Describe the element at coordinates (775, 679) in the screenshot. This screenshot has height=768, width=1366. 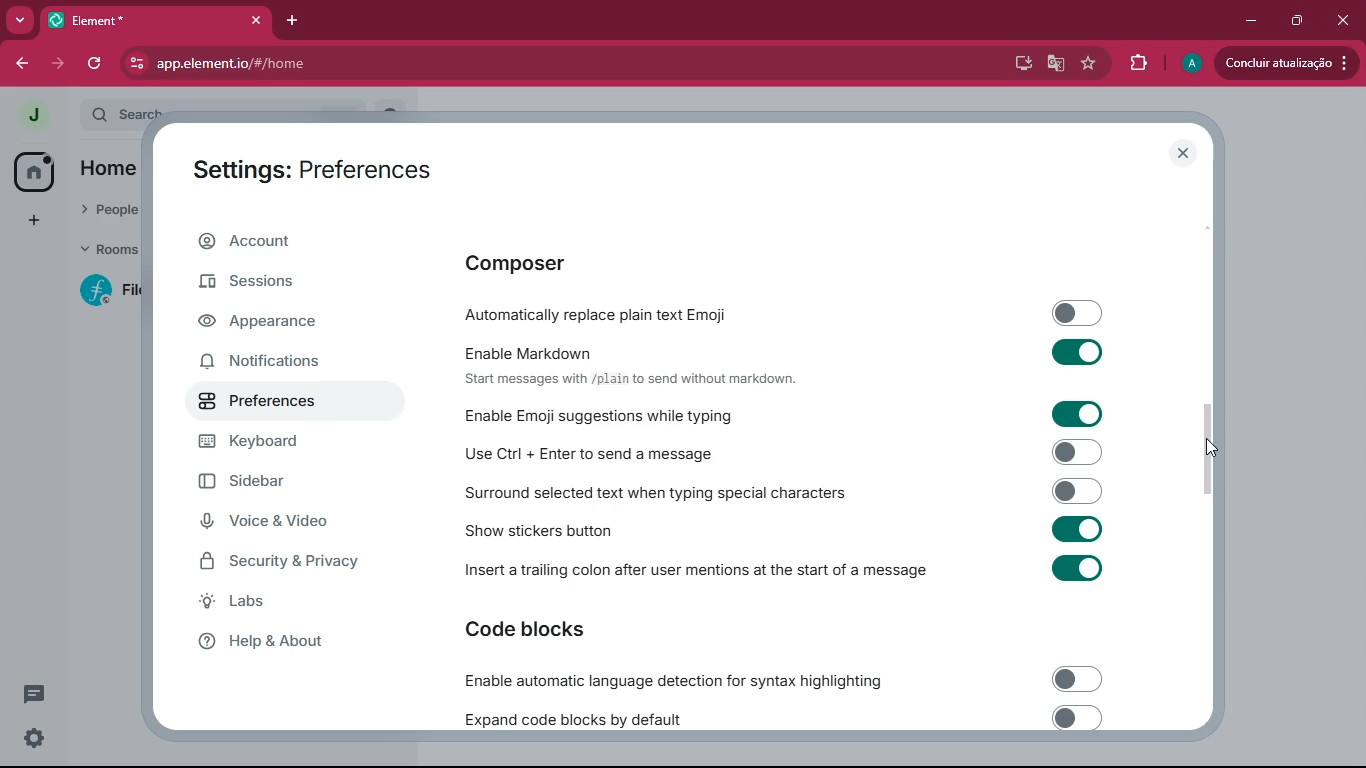
I see `Enable automatic language detection for syntax highlighting ` at that location.